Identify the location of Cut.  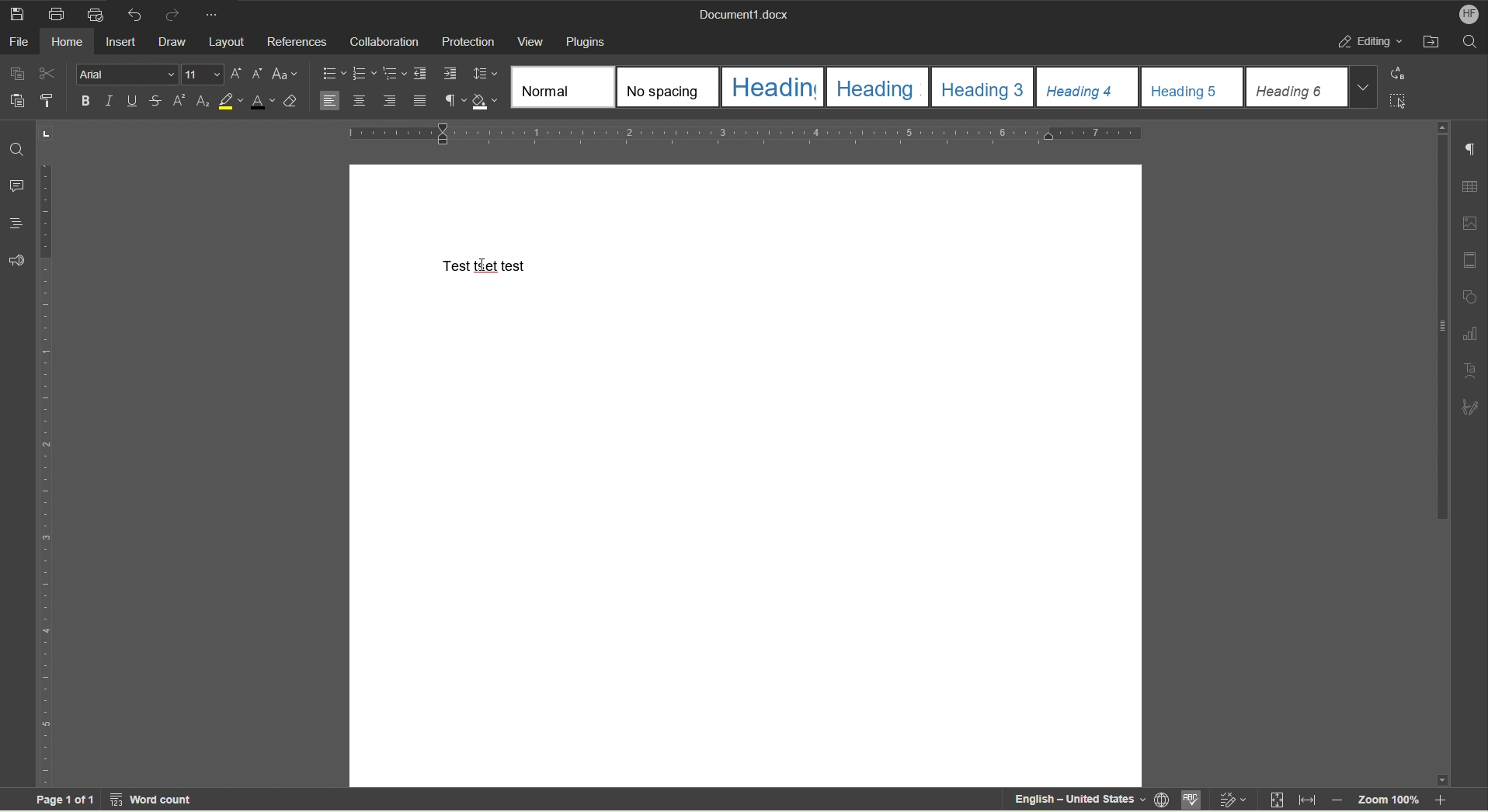
(48, 75).